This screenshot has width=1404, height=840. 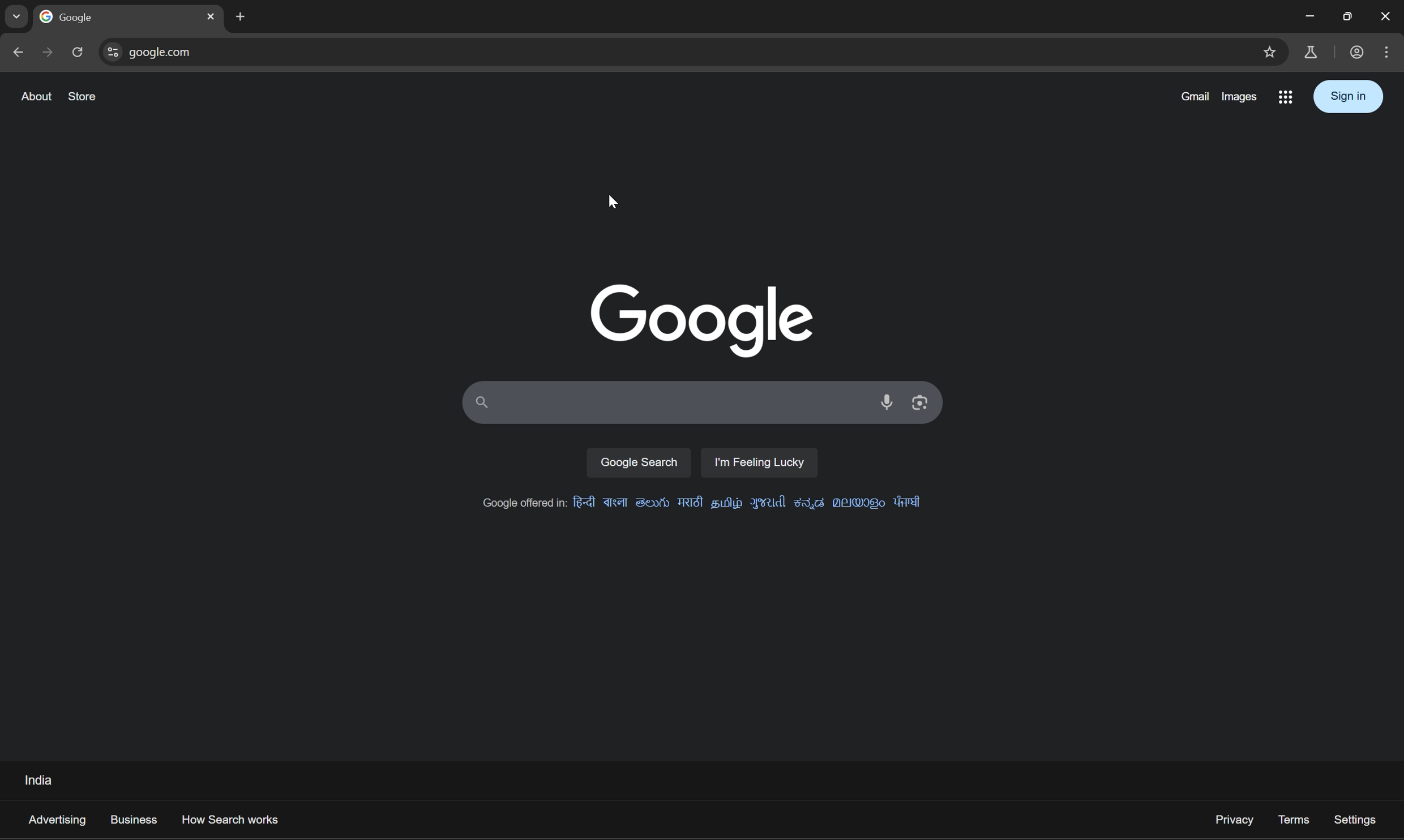 What do you see at coordinates (1356, 820) in the screenshot?
I see `settings` at bounding box center [1356, 820].